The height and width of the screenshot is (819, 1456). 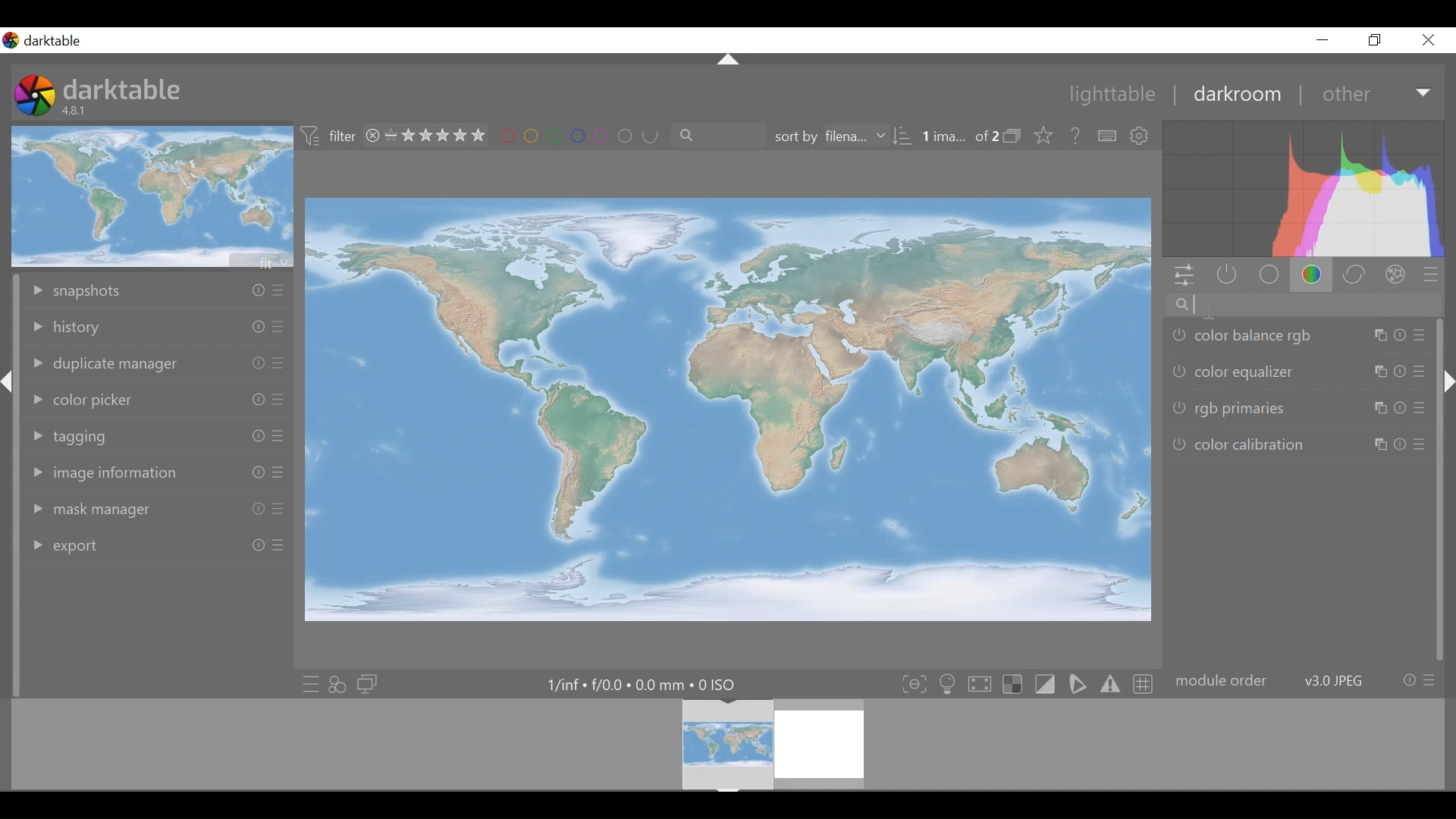 I want to click on Minimize, so click(x=1323, y=39).